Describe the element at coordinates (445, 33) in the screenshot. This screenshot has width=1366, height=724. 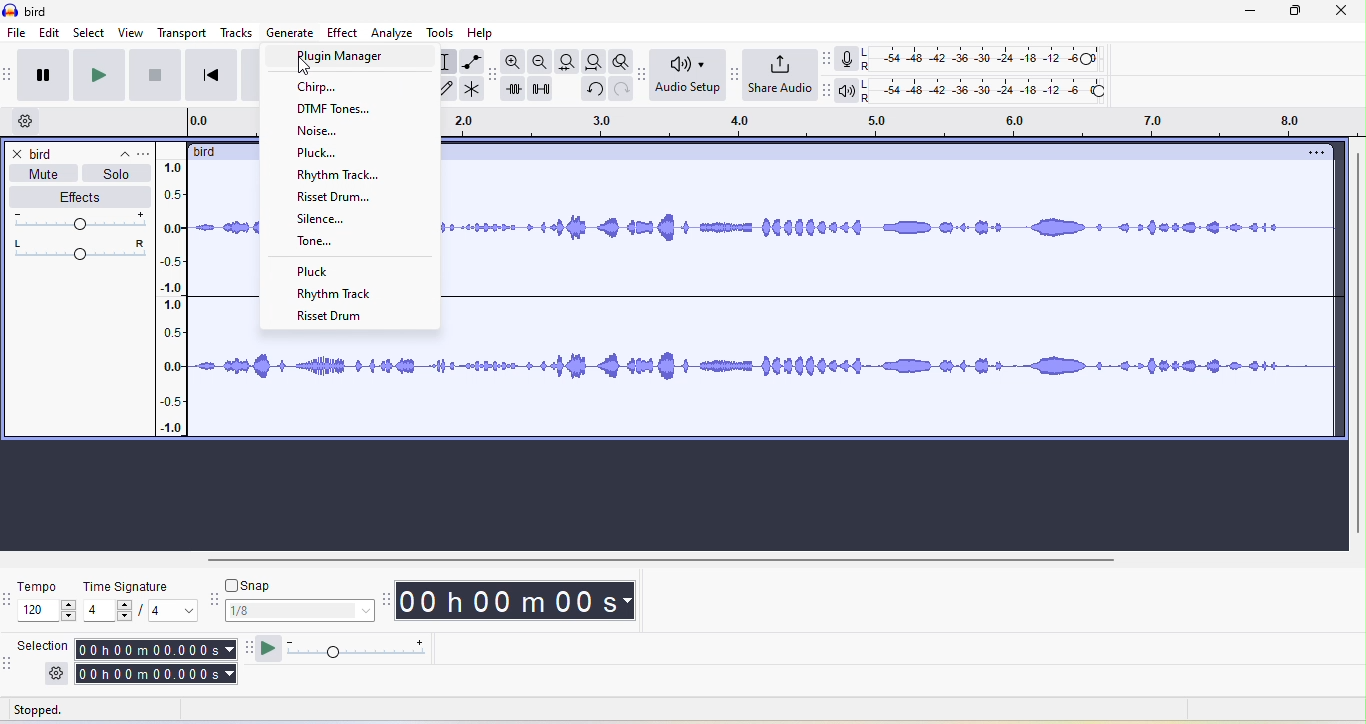
I see `tools` at that location.